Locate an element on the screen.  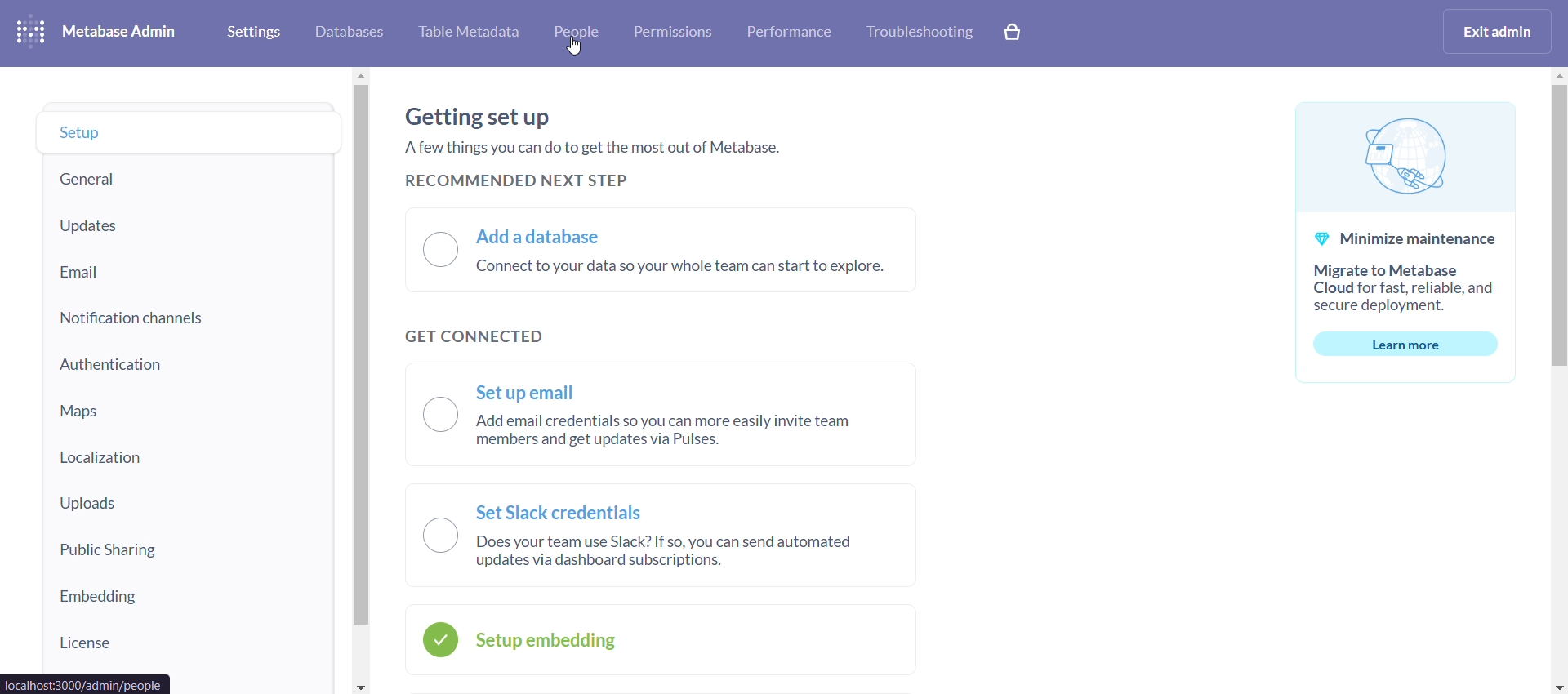
get connected is located at coordinates (467, 336).